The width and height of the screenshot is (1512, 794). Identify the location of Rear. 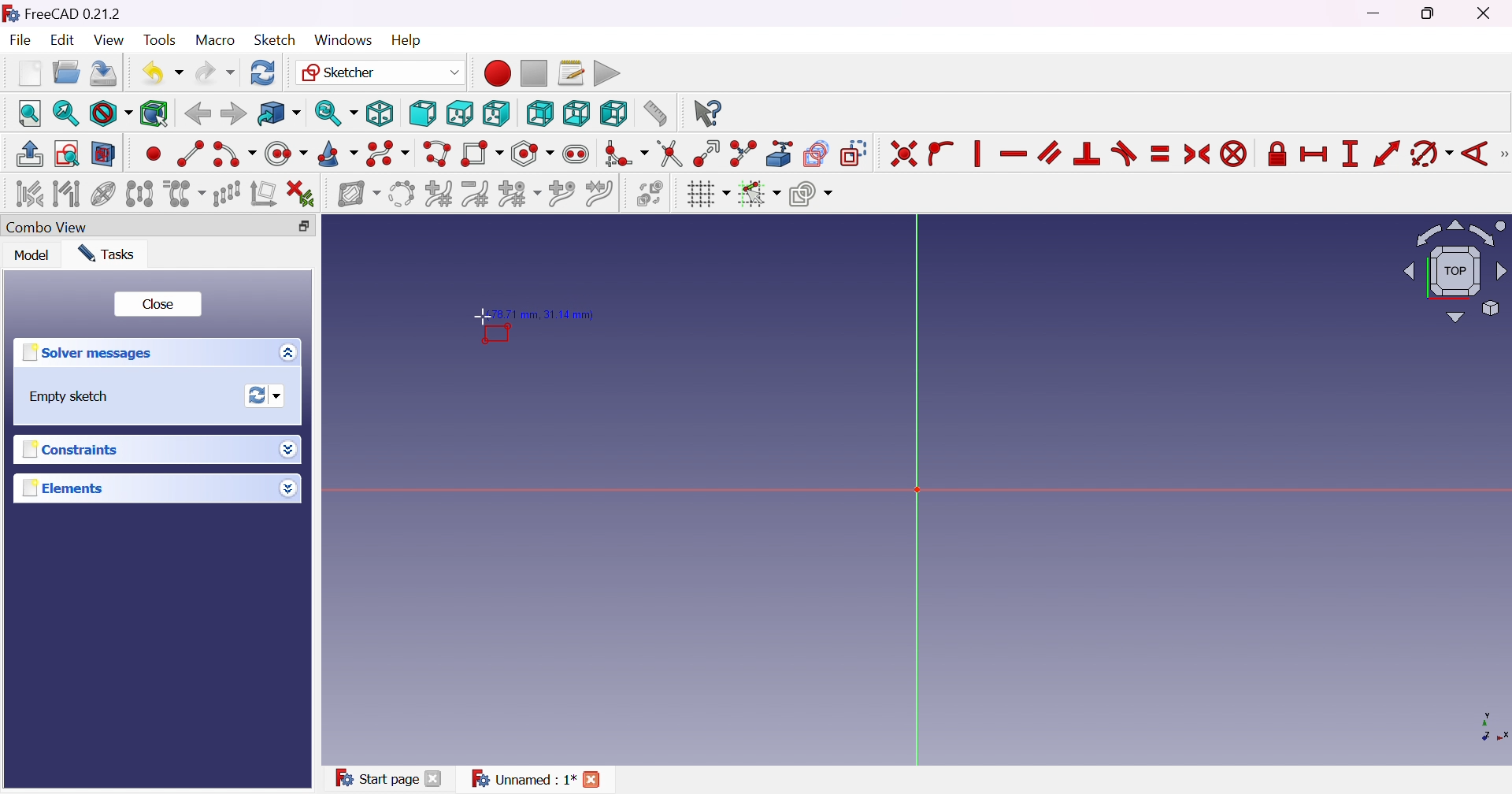
(540, 114).